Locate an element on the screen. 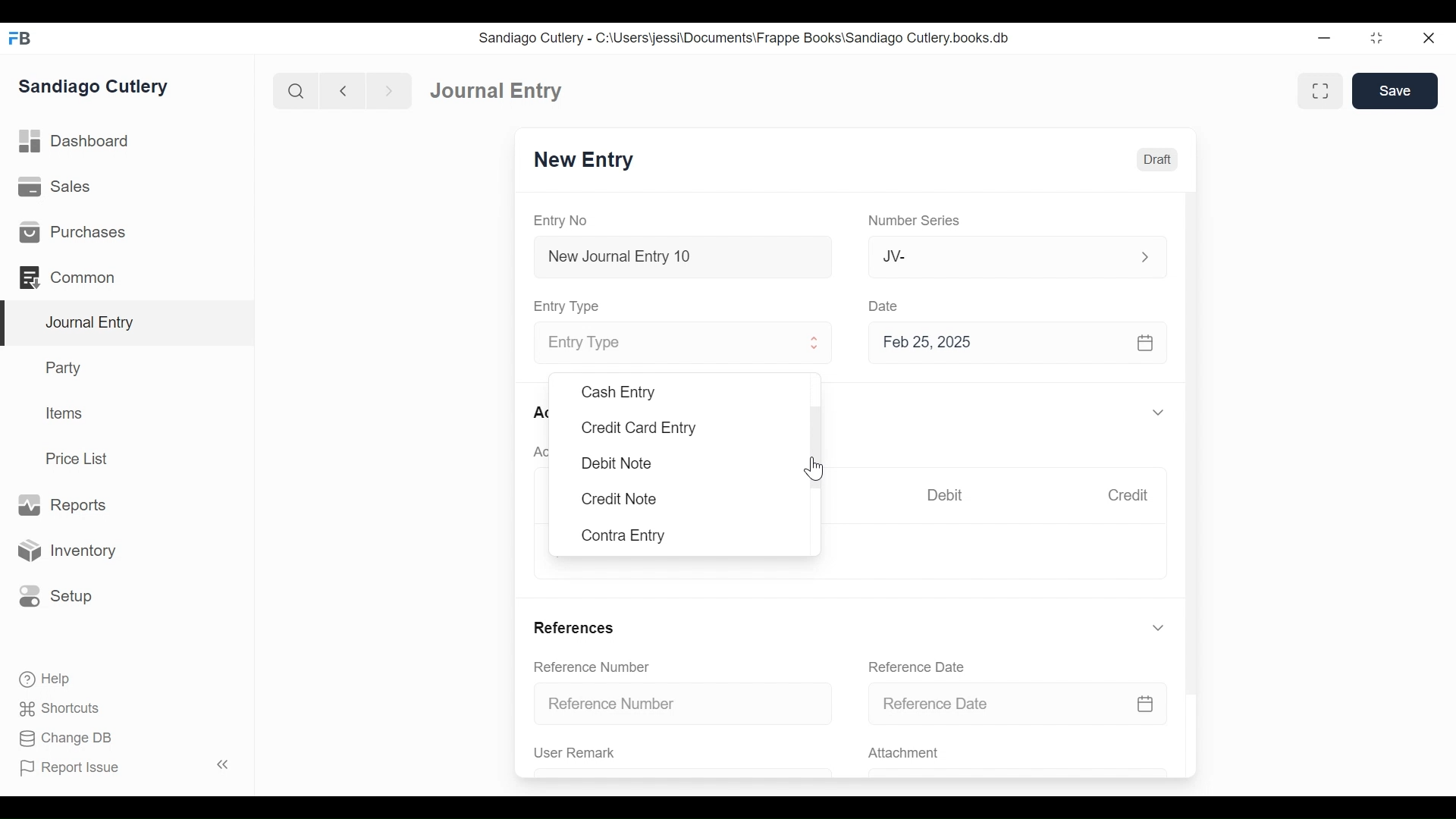  Entry Type is located at coordinates (665, 344).